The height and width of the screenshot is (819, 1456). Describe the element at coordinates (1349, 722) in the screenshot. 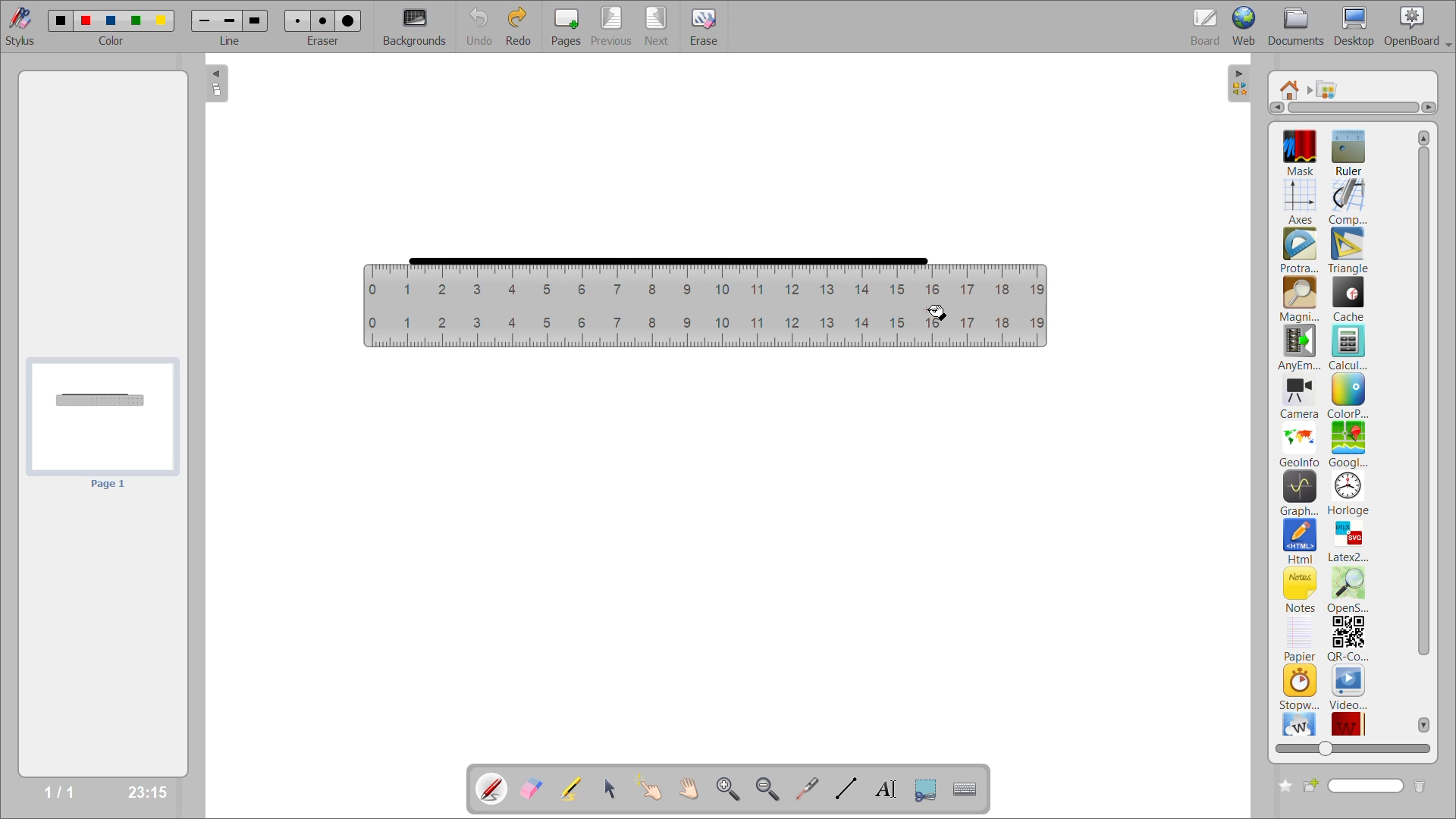

I see `wikittionary` at that location.